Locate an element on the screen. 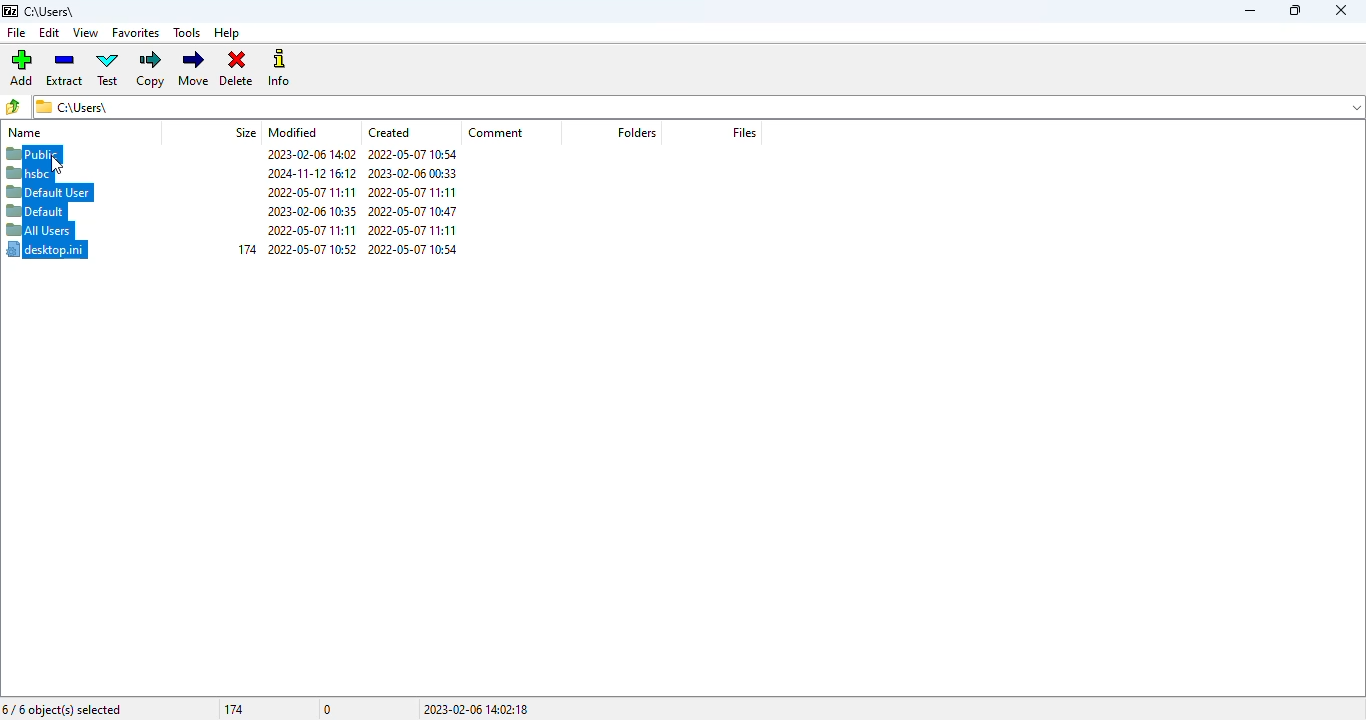 The height and width of the screenshot is (720, 1366). edit is located at coordinates (50, 33).